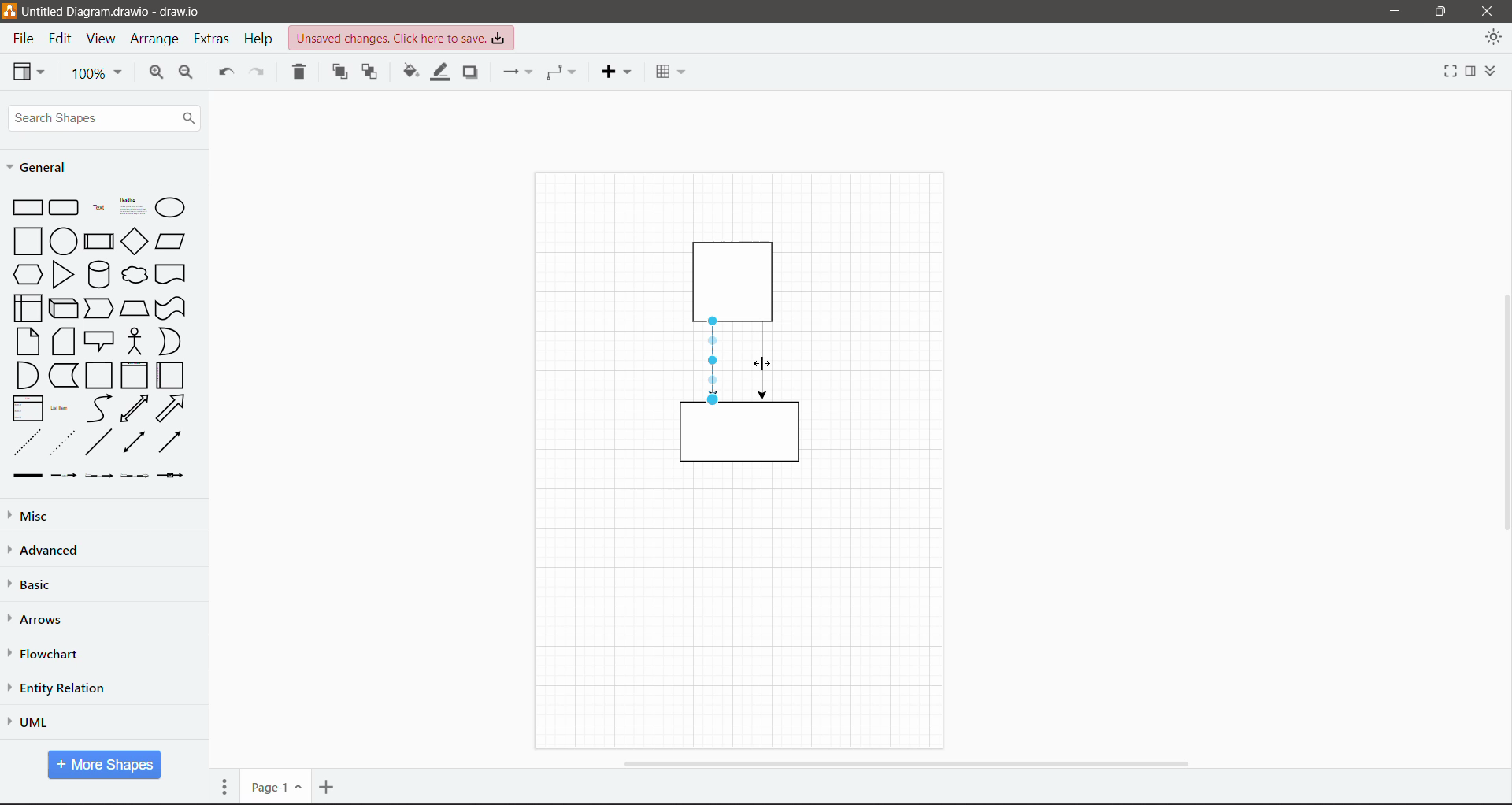 This screenshot has height=805, width=1512. What do you see at coordinates (171, 375) in the screenshot?
I see `Horizontal Container` at bounding box center [171, 375].